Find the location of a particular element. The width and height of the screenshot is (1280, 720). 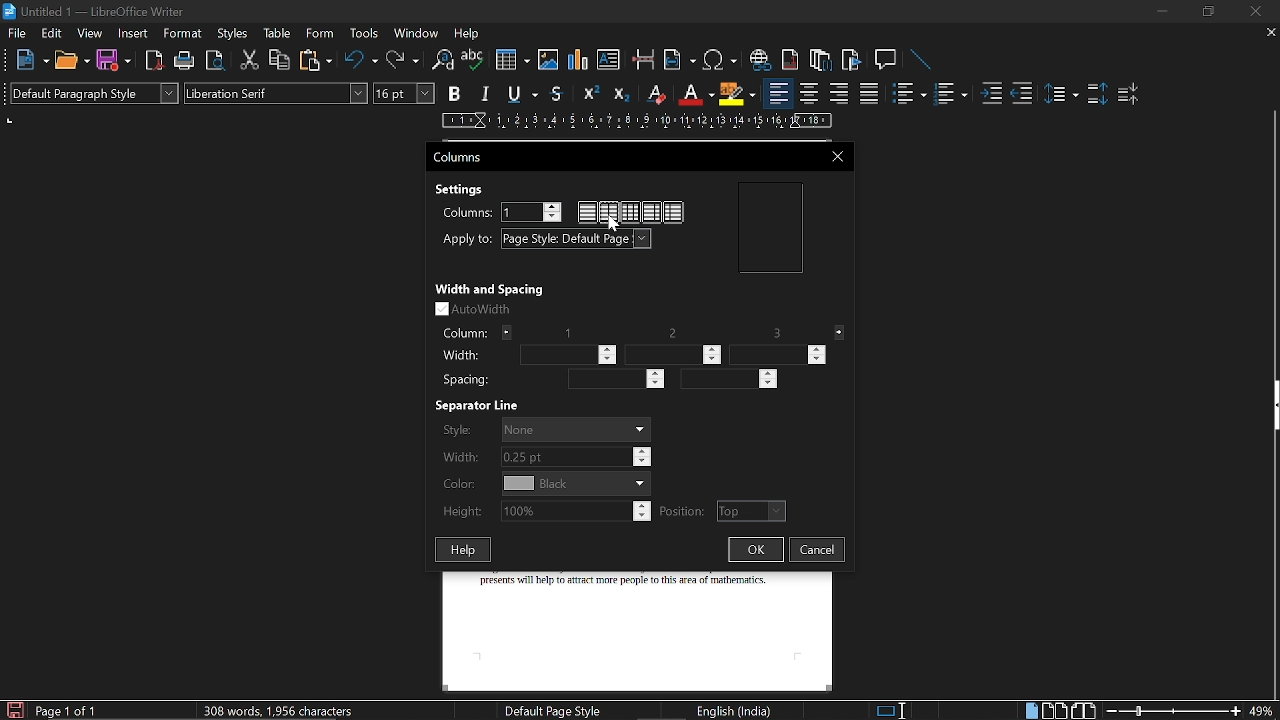

CLose tab is located at coordinates (1270, 32).